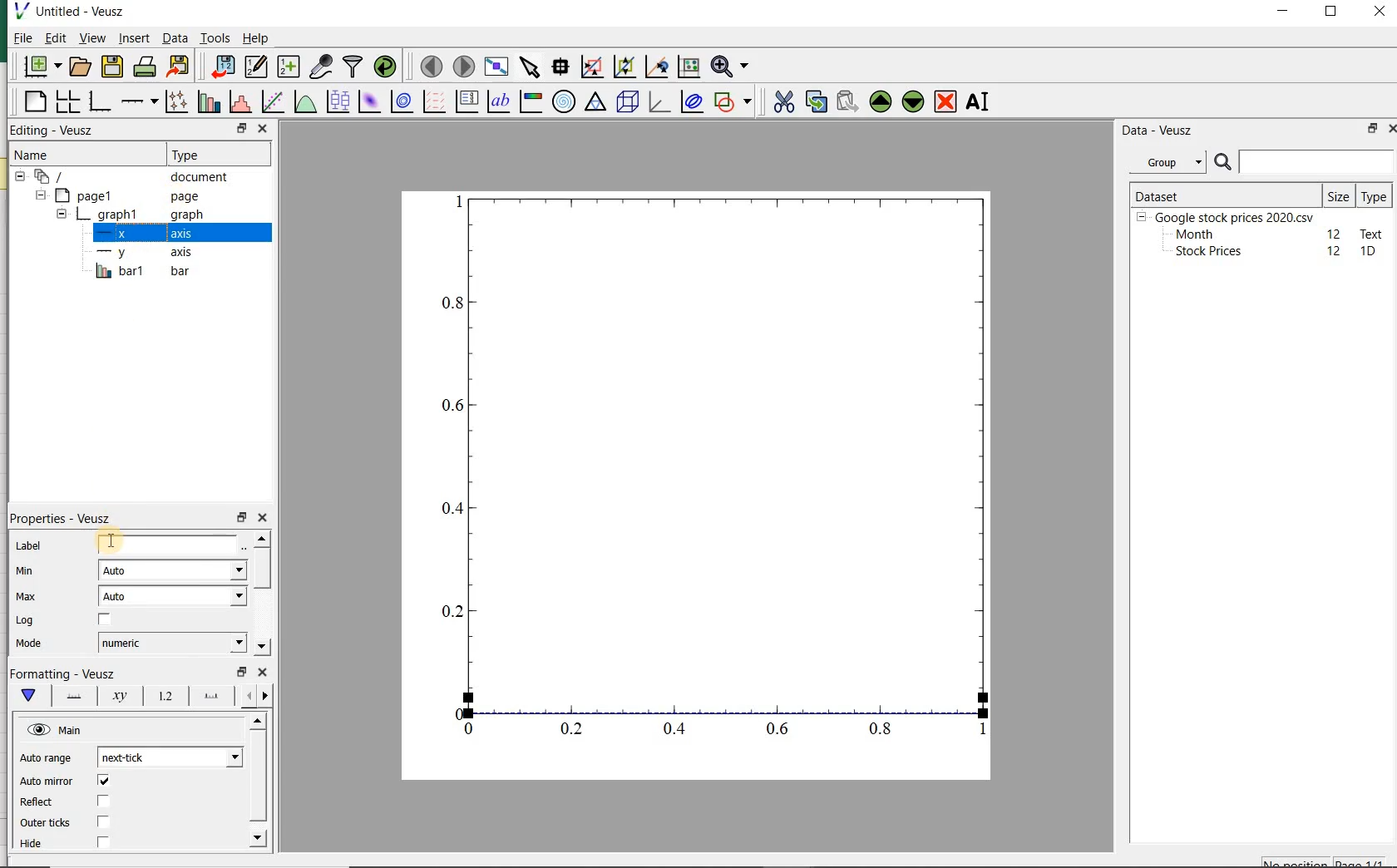 The height and width of the screenshot is (868, 1397). Describe the element at coordinates (66, 102) in the screenshot. I see `arrange graphs in a grid` at that location.